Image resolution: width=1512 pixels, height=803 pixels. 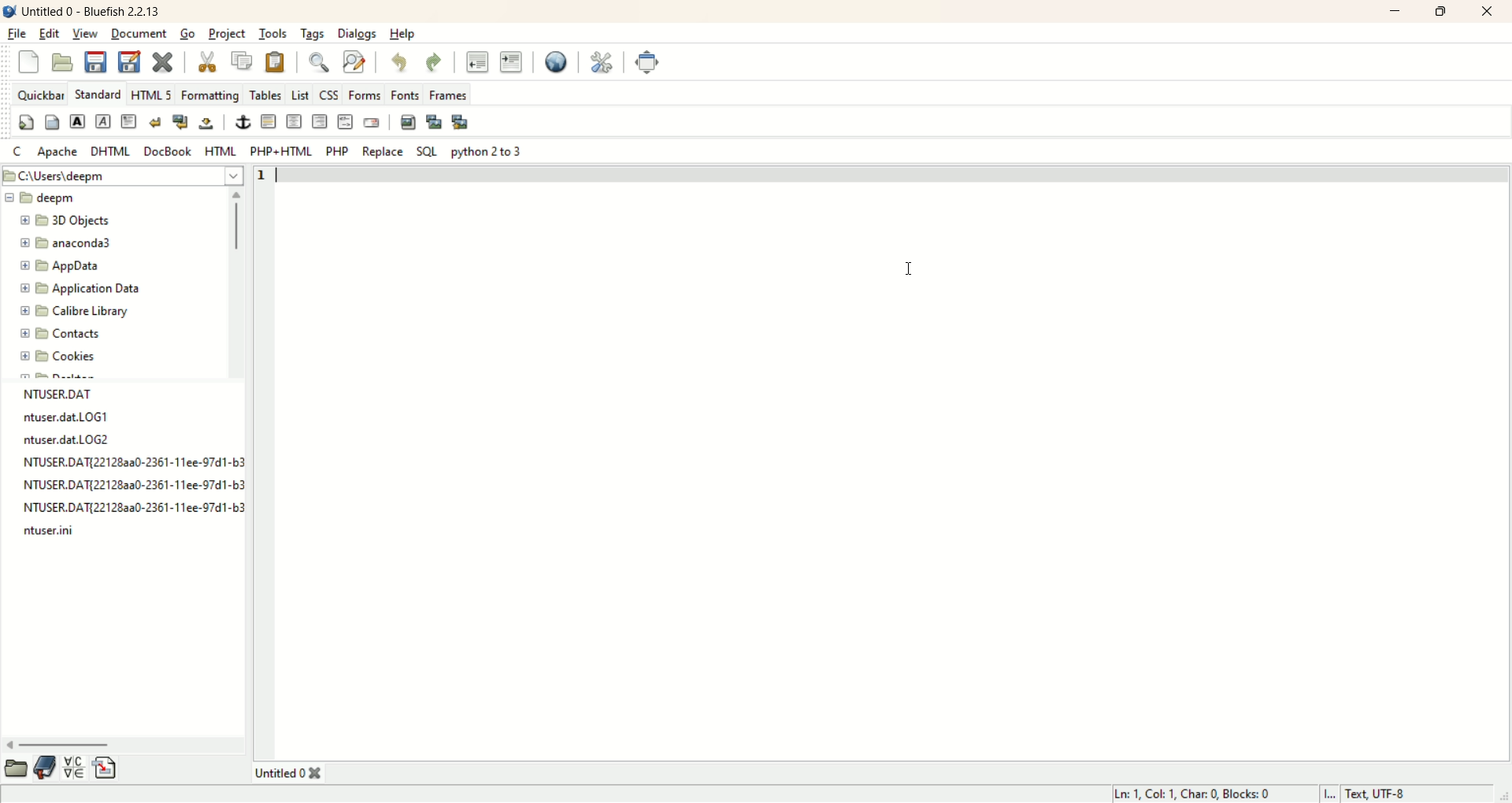 I want to click on non- breaking space, so click(x=204, y=124).